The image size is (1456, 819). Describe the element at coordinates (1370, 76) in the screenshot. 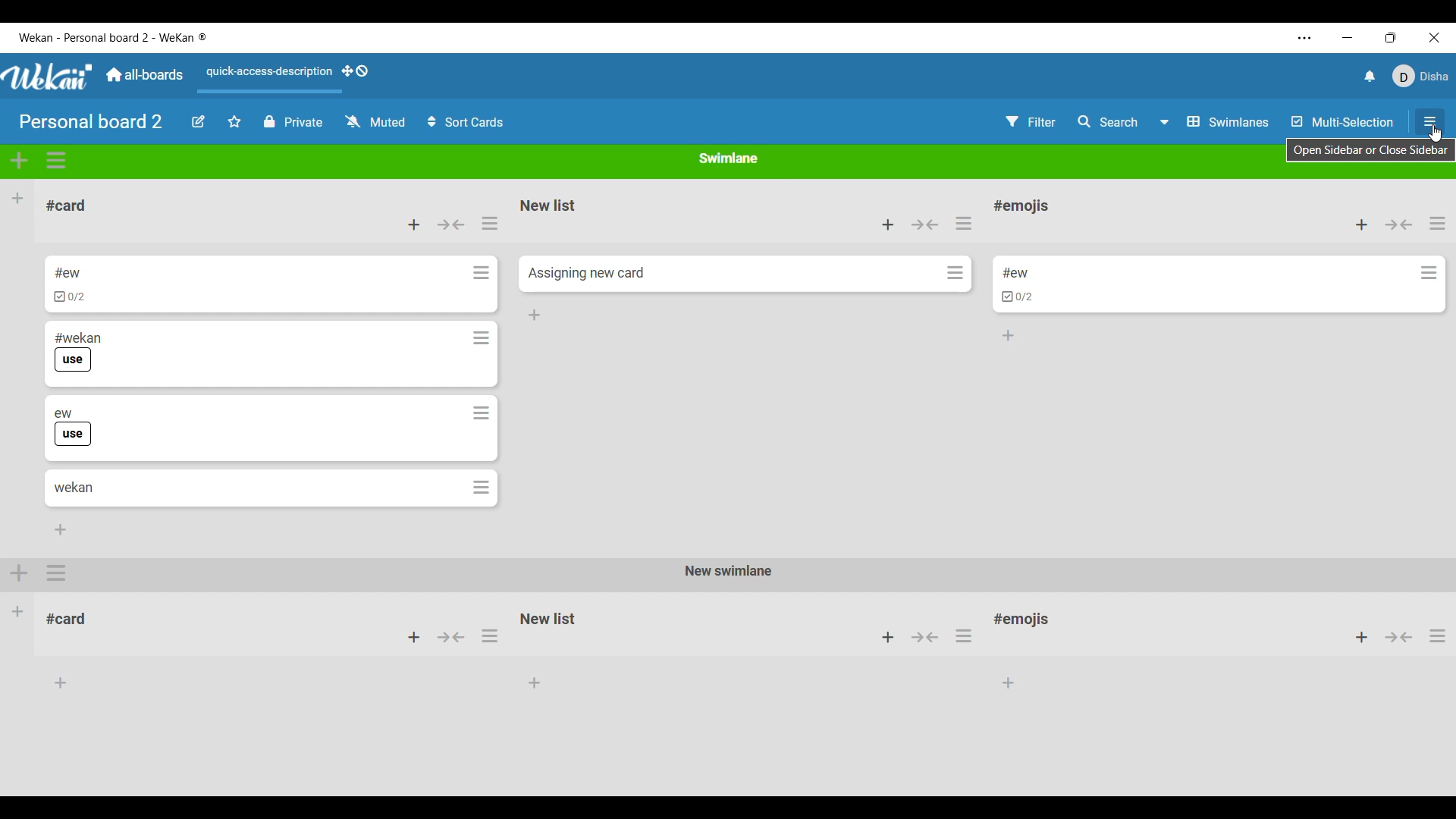

I see `Notifications` at that location.